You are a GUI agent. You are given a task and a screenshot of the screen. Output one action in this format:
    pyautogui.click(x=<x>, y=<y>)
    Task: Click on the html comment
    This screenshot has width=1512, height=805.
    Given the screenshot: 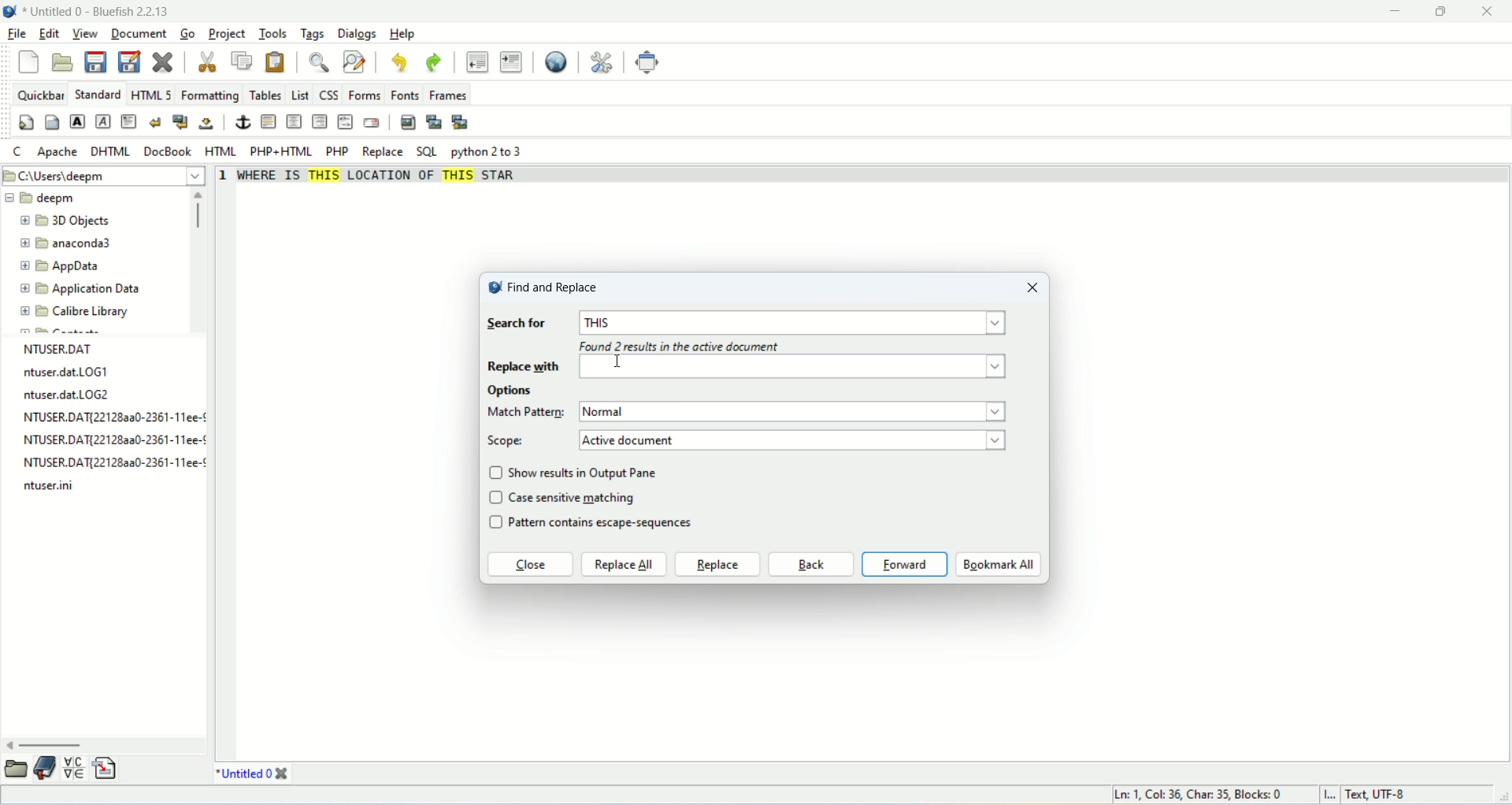 What is the action you would take?
    pyautogui.click(x=346, y=123)
    